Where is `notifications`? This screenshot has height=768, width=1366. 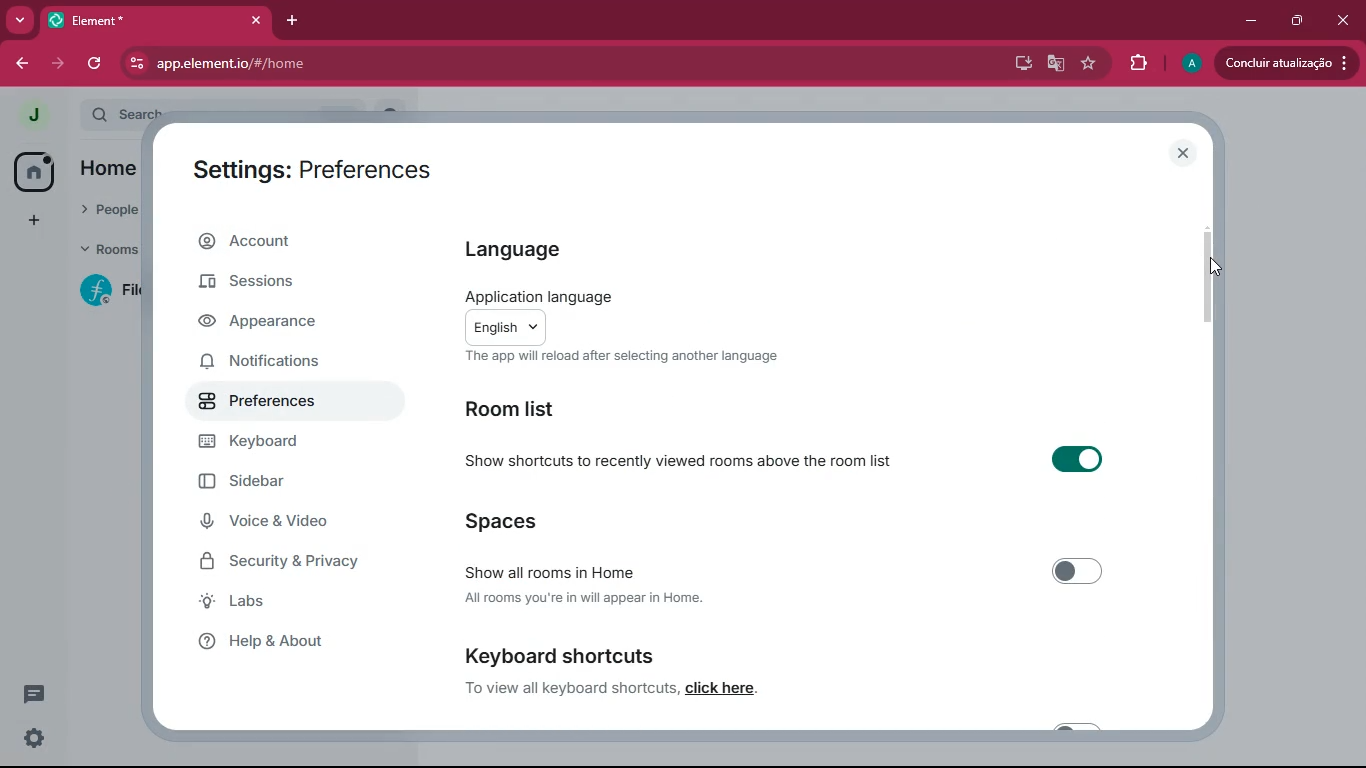
notifications is located at coordinates (259, 363).